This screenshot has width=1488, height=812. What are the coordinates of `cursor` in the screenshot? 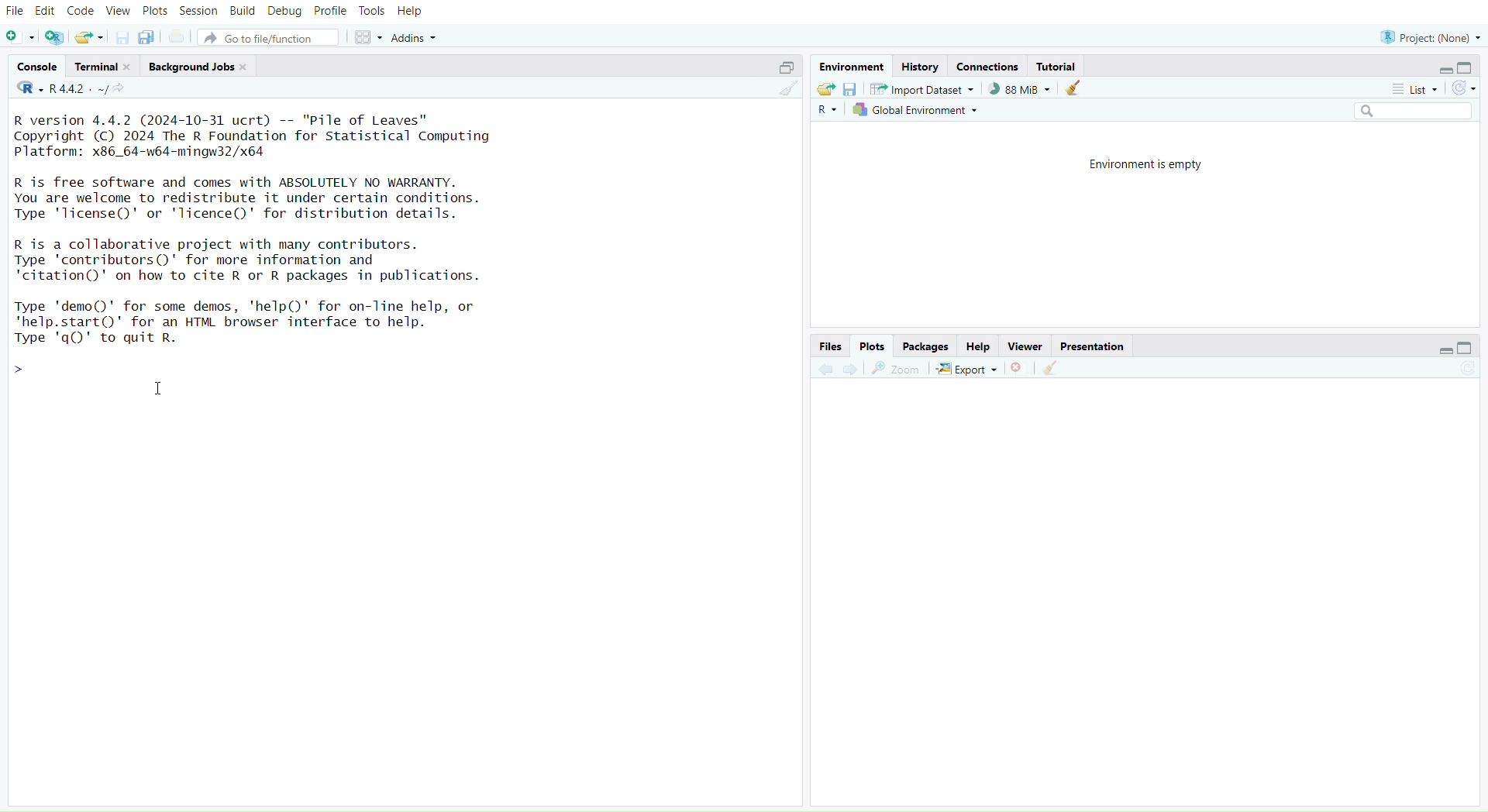 It's located at (160, 391).